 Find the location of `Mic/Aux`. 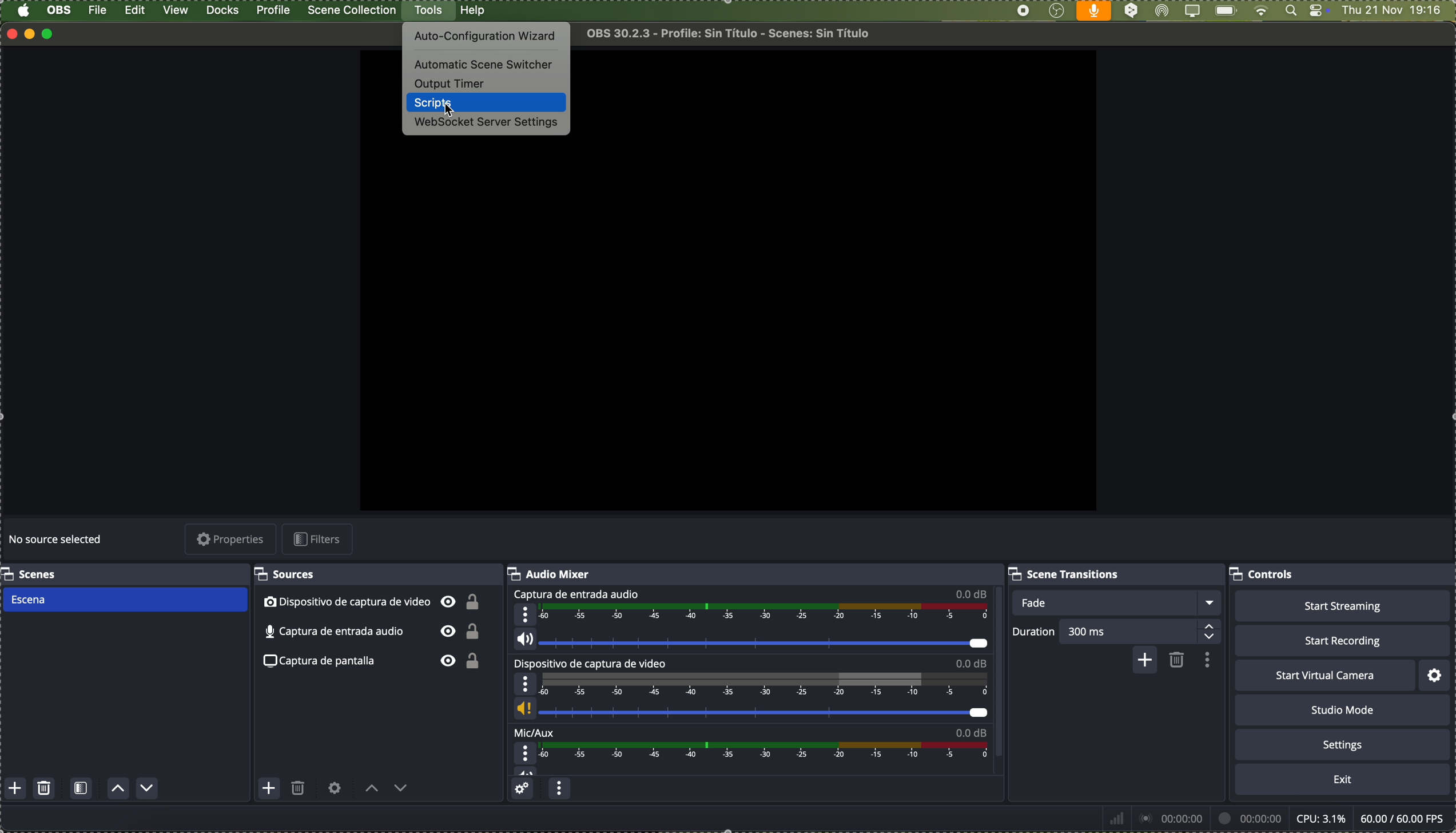

Mic/Aux is located at coordinates (747, 752).